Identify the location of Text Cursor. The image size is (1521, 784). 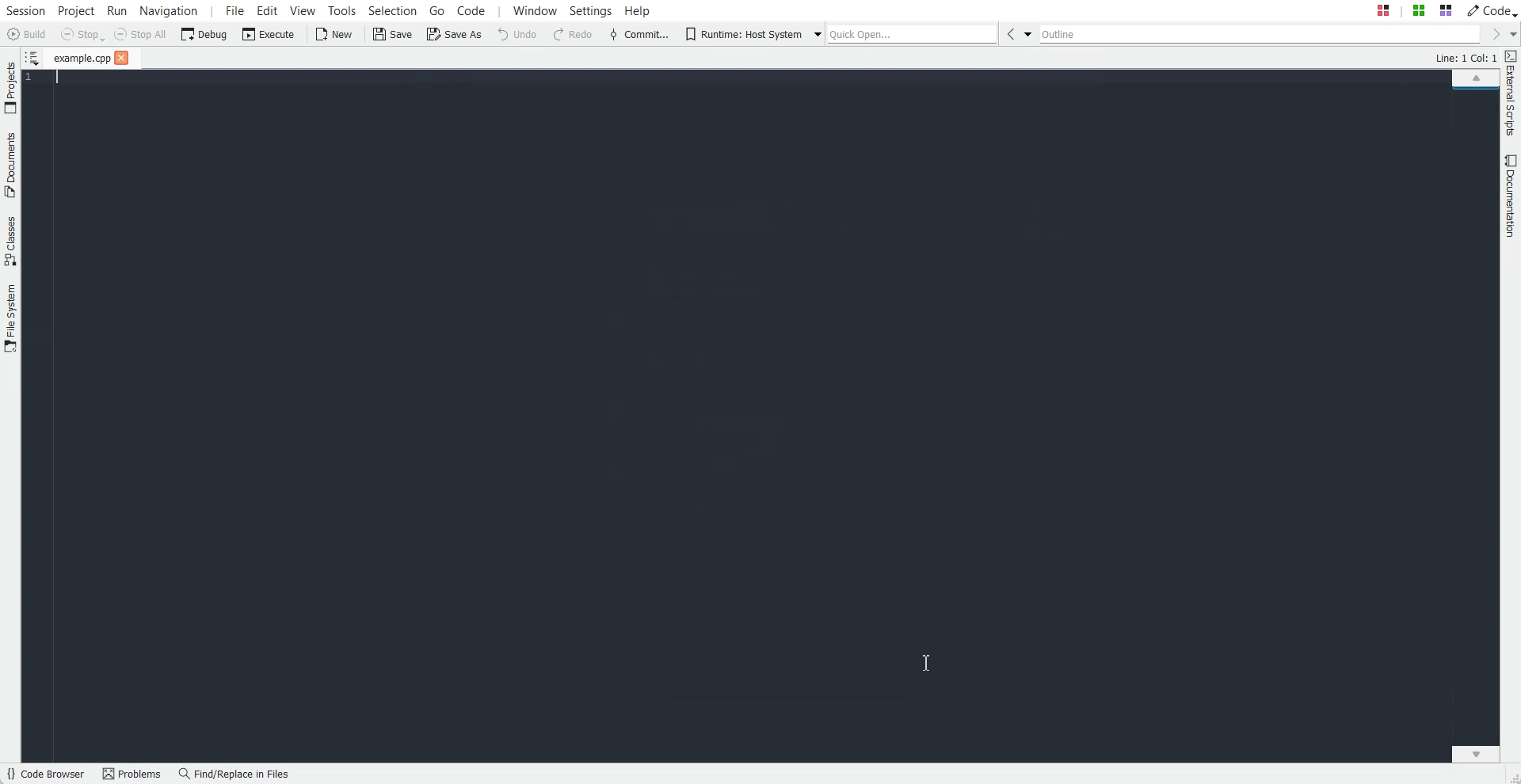
(924, 661).